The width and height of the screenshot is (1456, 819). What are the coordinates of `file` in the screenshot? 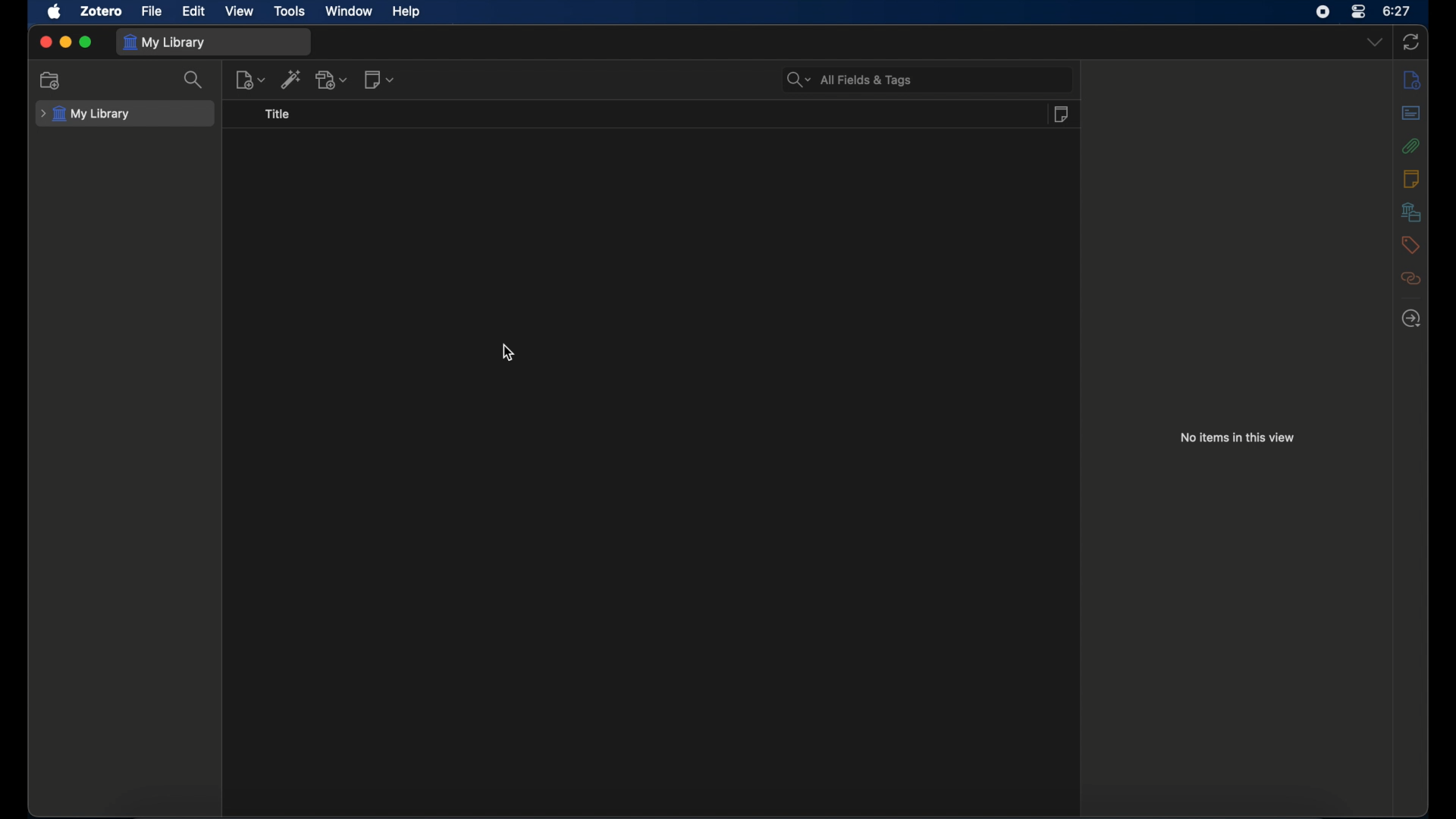 It's located at (152, 11).